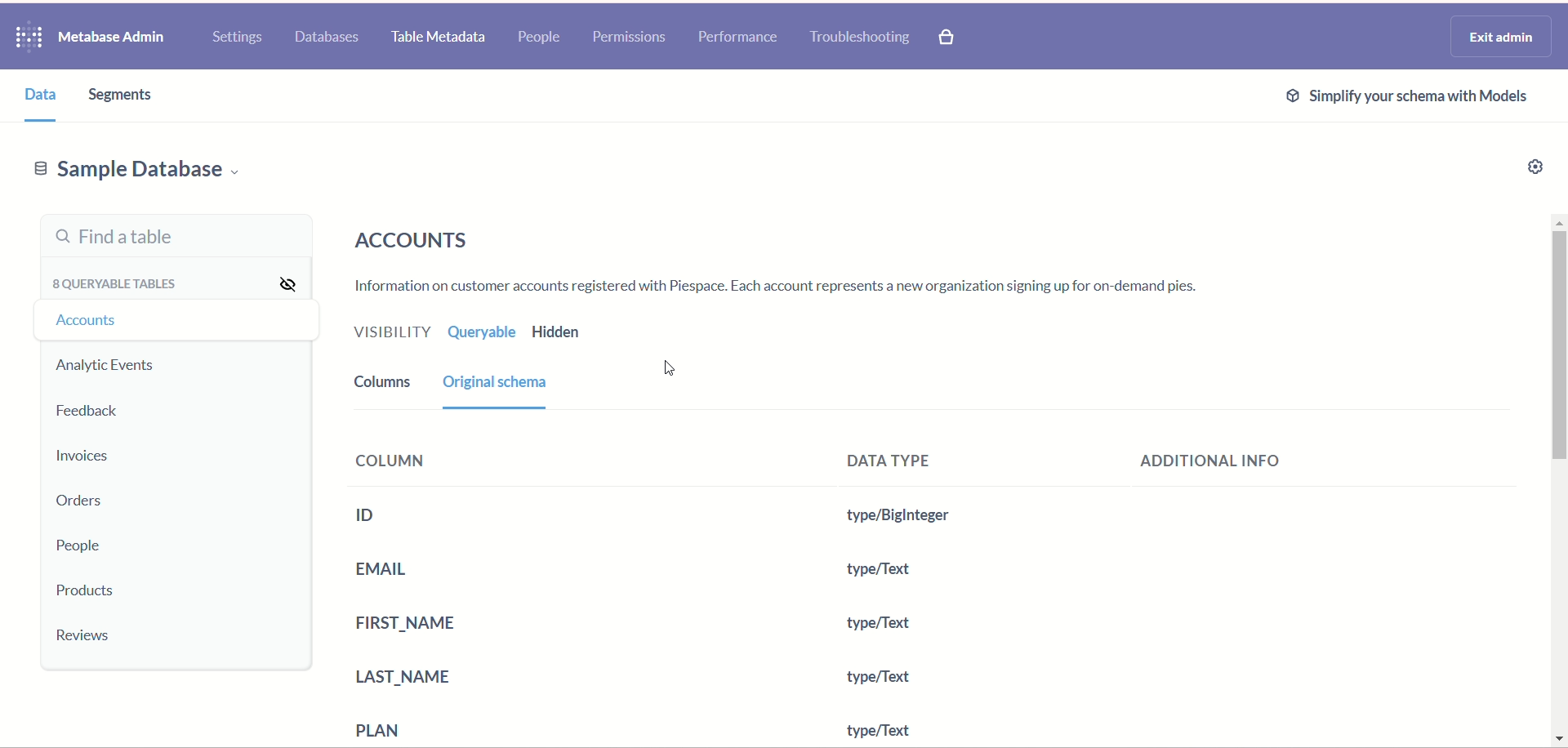 The image size is (1568, 748). I want to click on ccounts, so click(89, 323).